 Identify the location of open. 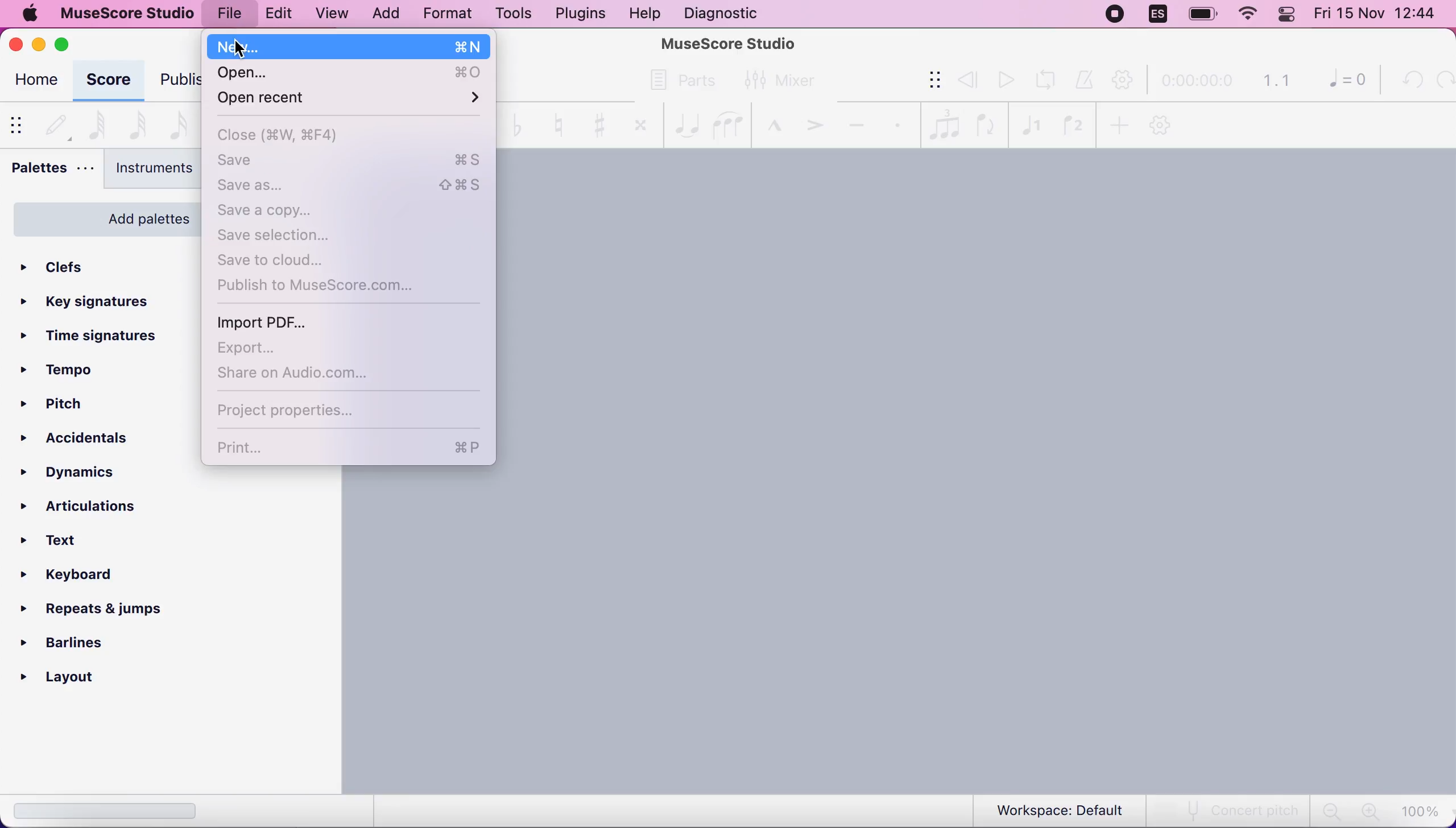
(354, 72).